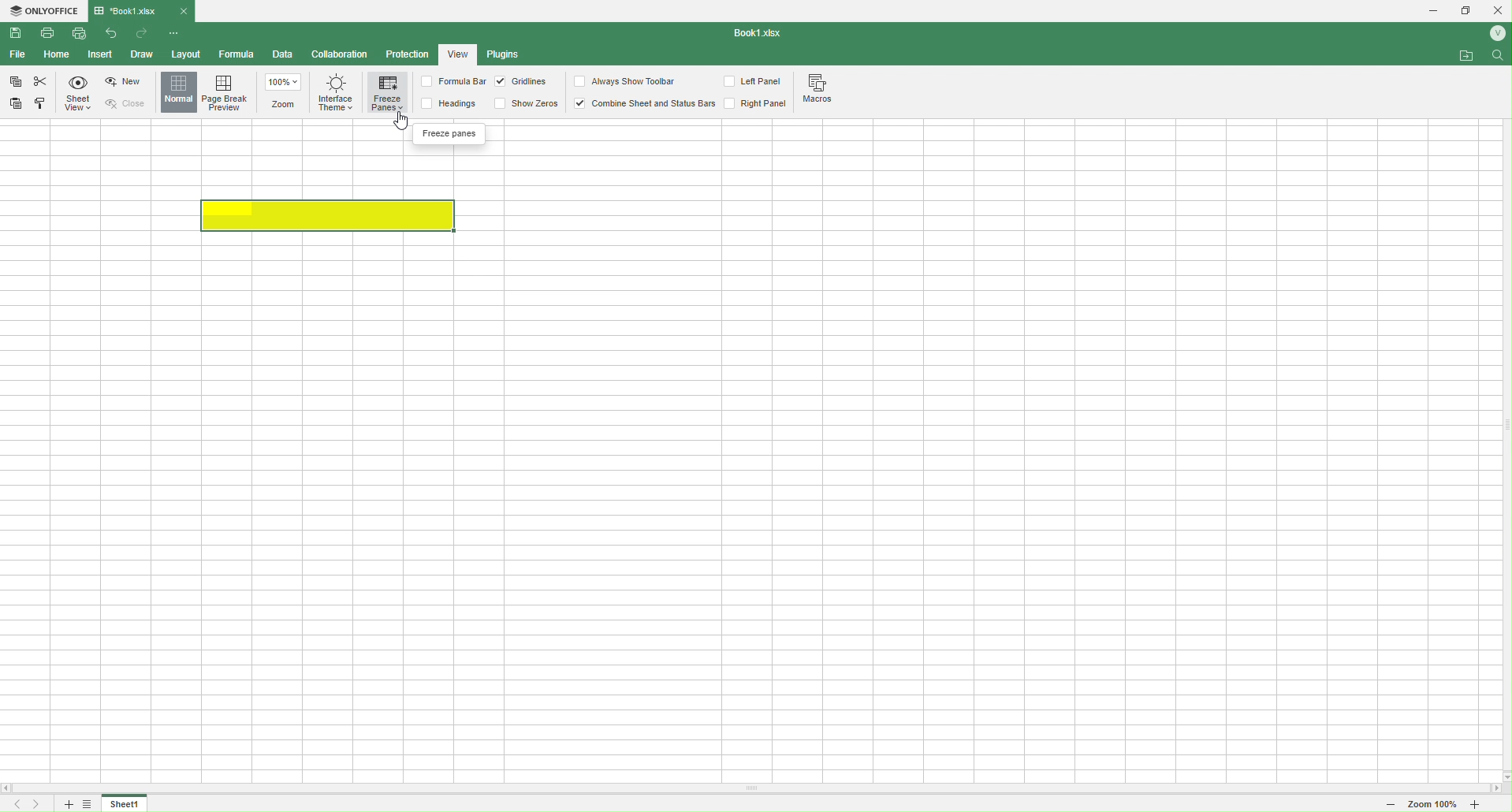 The height and width of the screenshot is (812, 1512). What do you see at coordinates (44, 12) in the screenshot?
I see `ONLYOFFICE` at bounding box center [44, 12].